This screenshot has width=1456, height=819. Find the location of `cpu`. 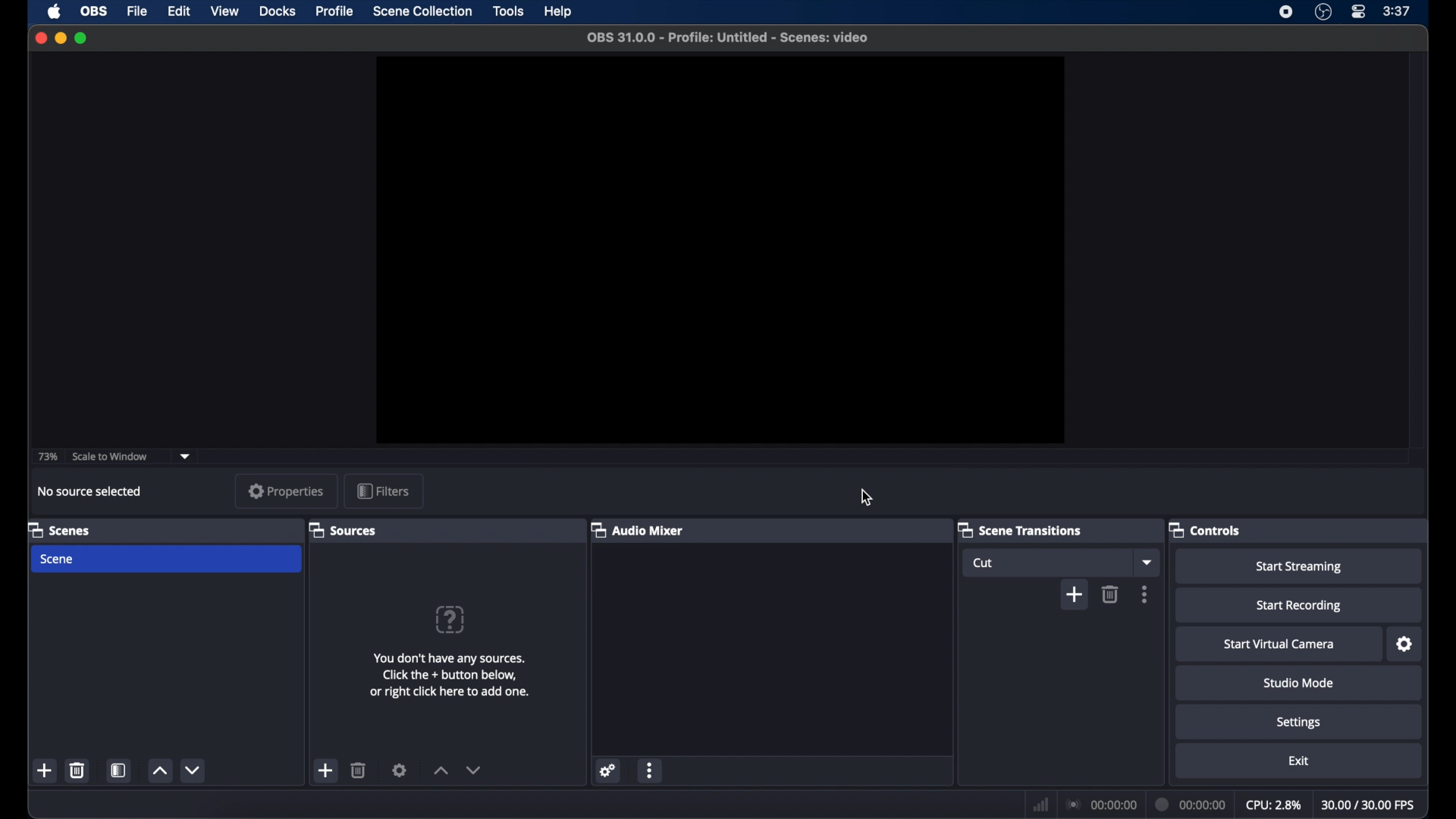

cpu is located at coordinates (1274, 805).